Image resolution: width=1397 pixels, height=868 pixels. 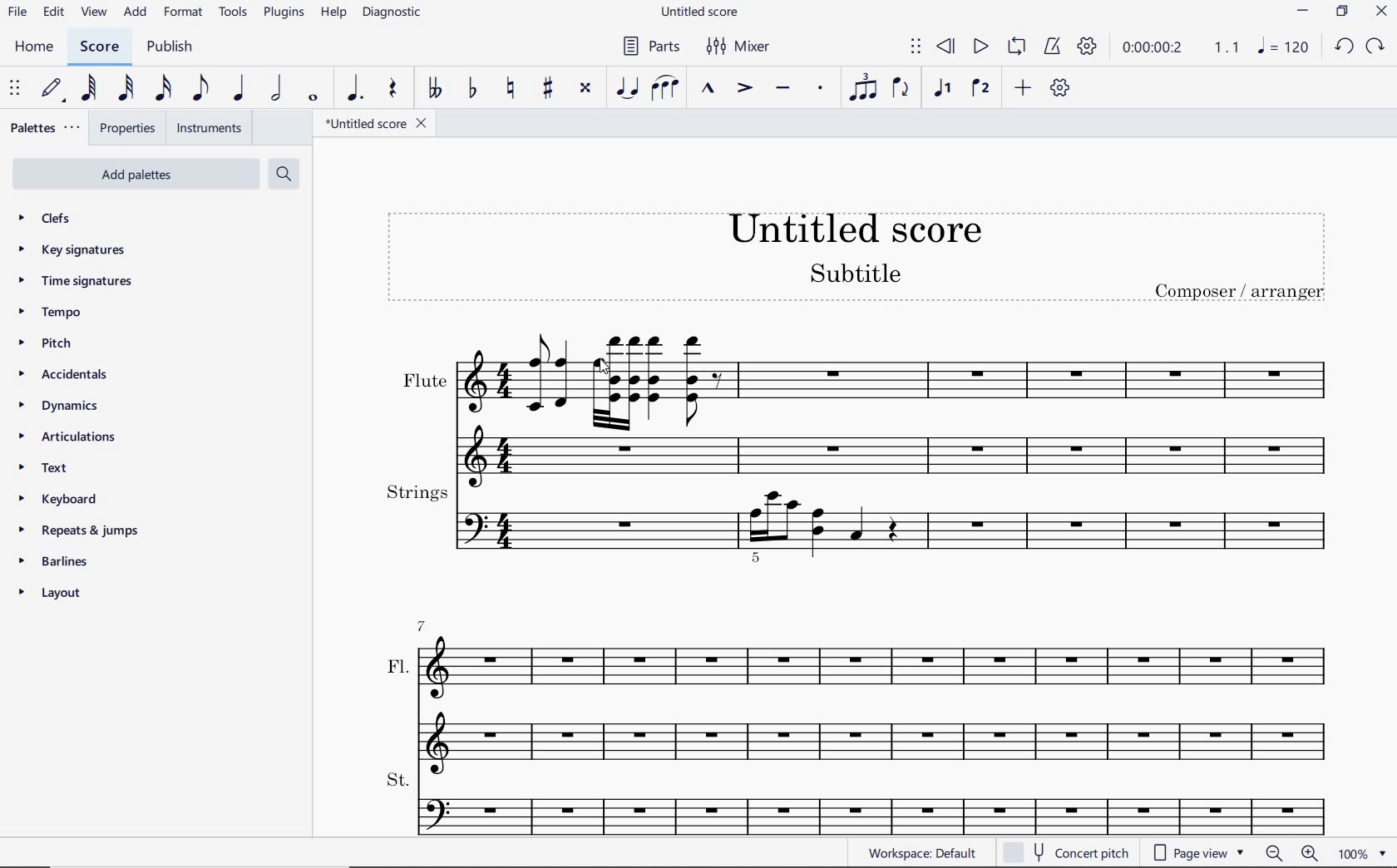 I want to click on REST, so click(x=392, y=87).